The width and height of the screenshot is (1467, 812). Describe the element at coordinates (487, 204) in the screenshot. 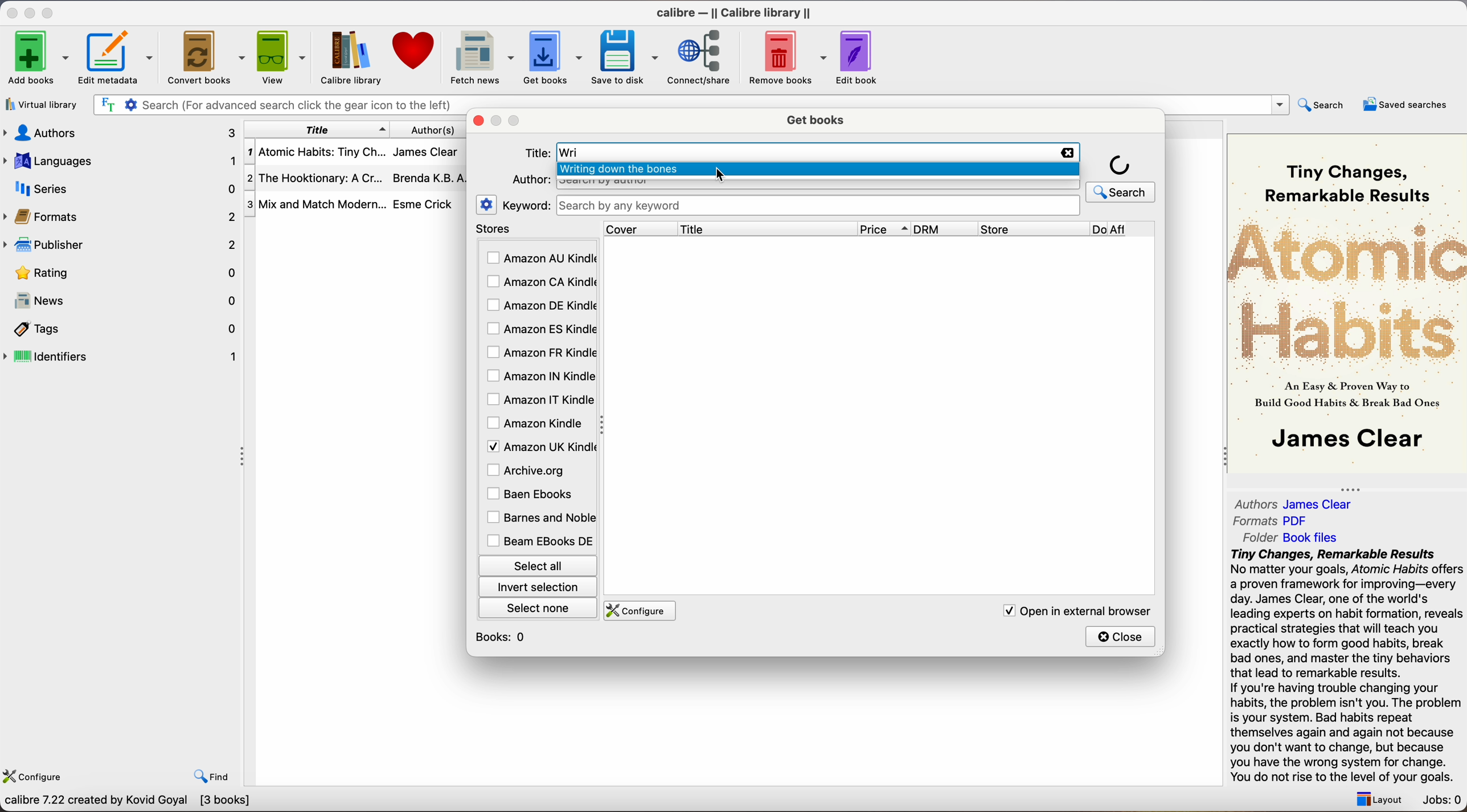

I see `settings` at that location.